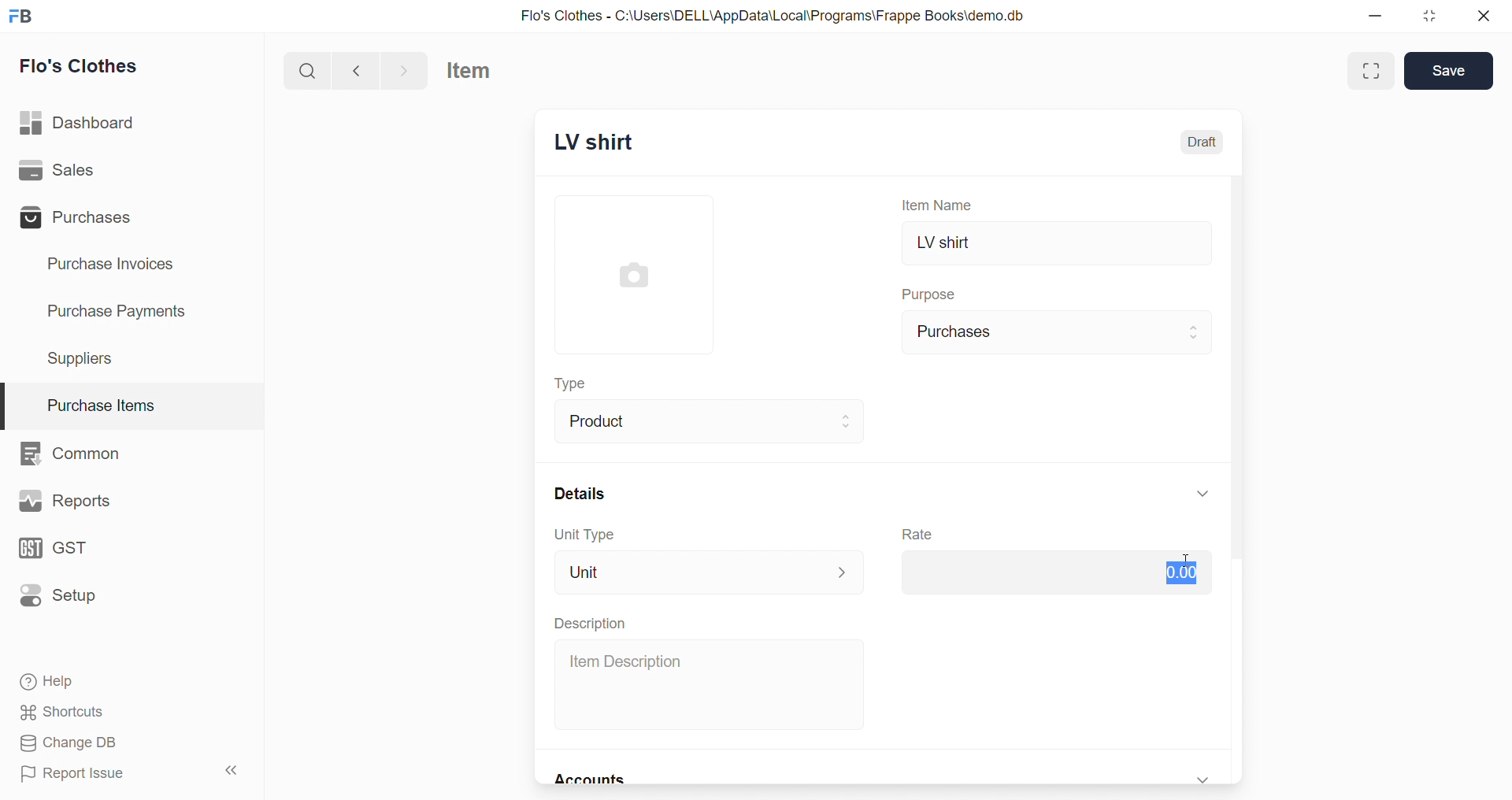  Describe the element at coordinates (80, 217) in the screenshot. I see `Purchases` at that location.